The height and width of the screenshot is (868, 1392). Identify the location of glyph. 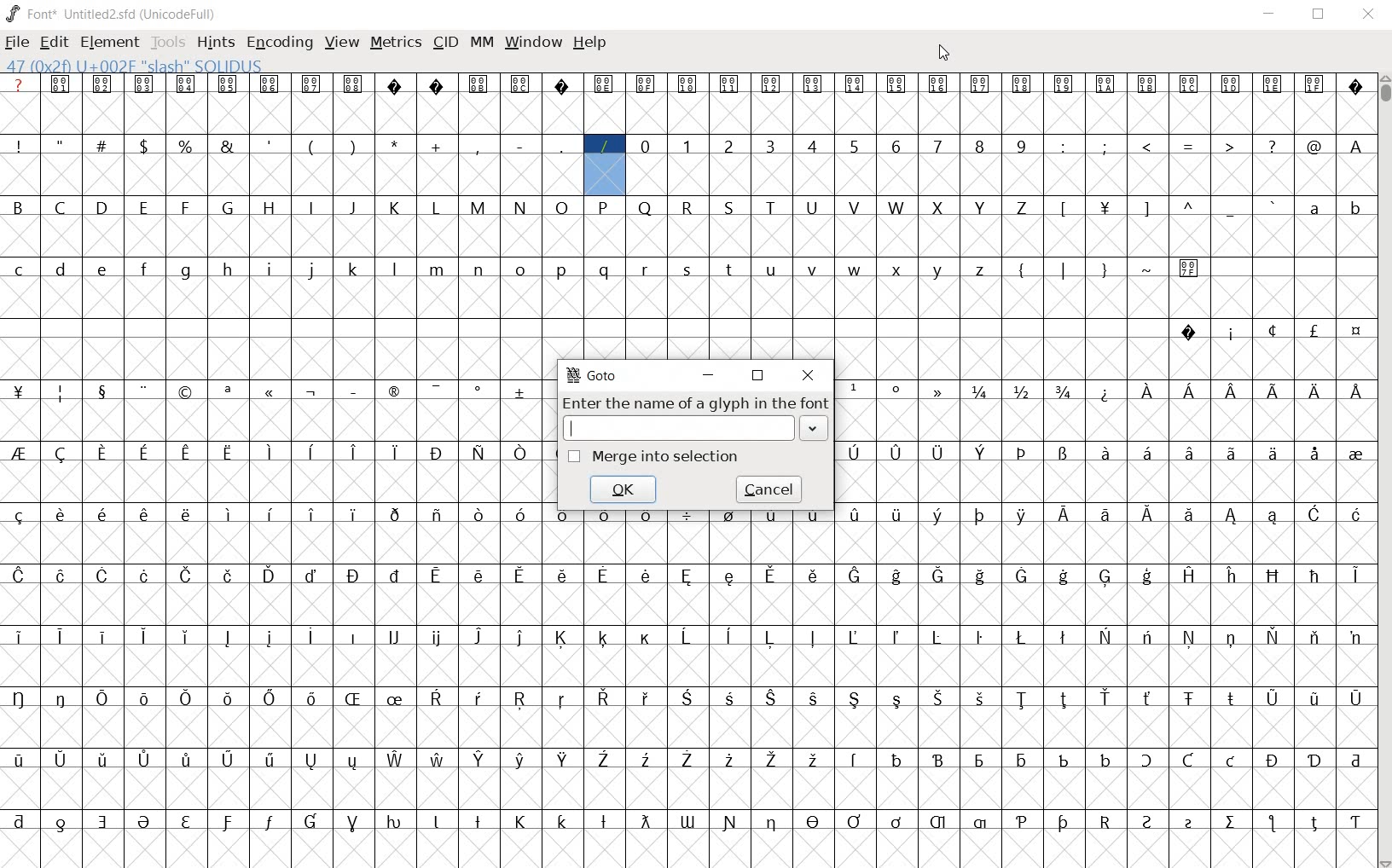
(393, 822).